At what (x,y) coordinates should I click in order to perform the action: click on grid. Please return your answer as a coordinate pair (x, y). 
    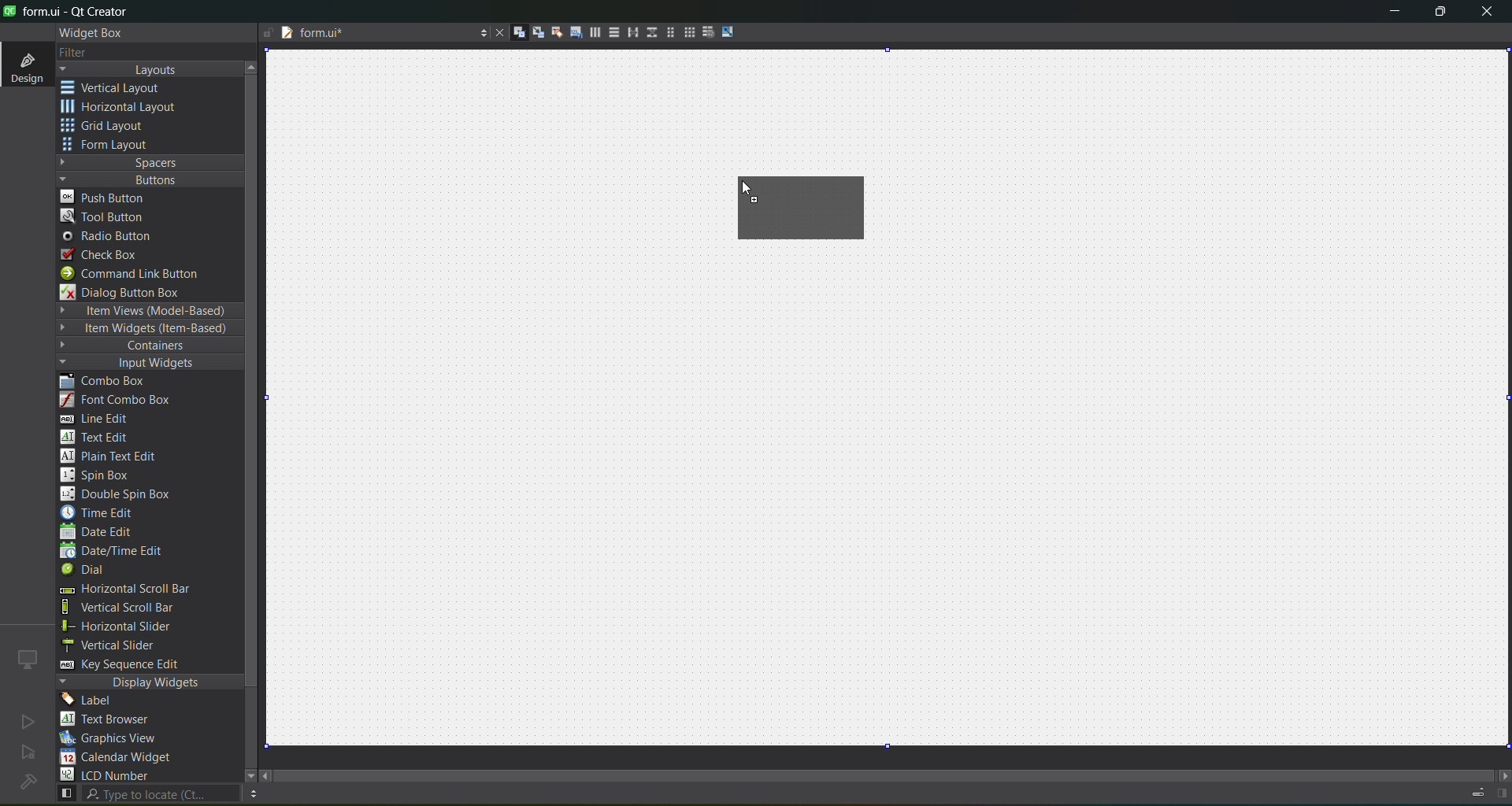
    Looking at the image, I should click on (113, 128).